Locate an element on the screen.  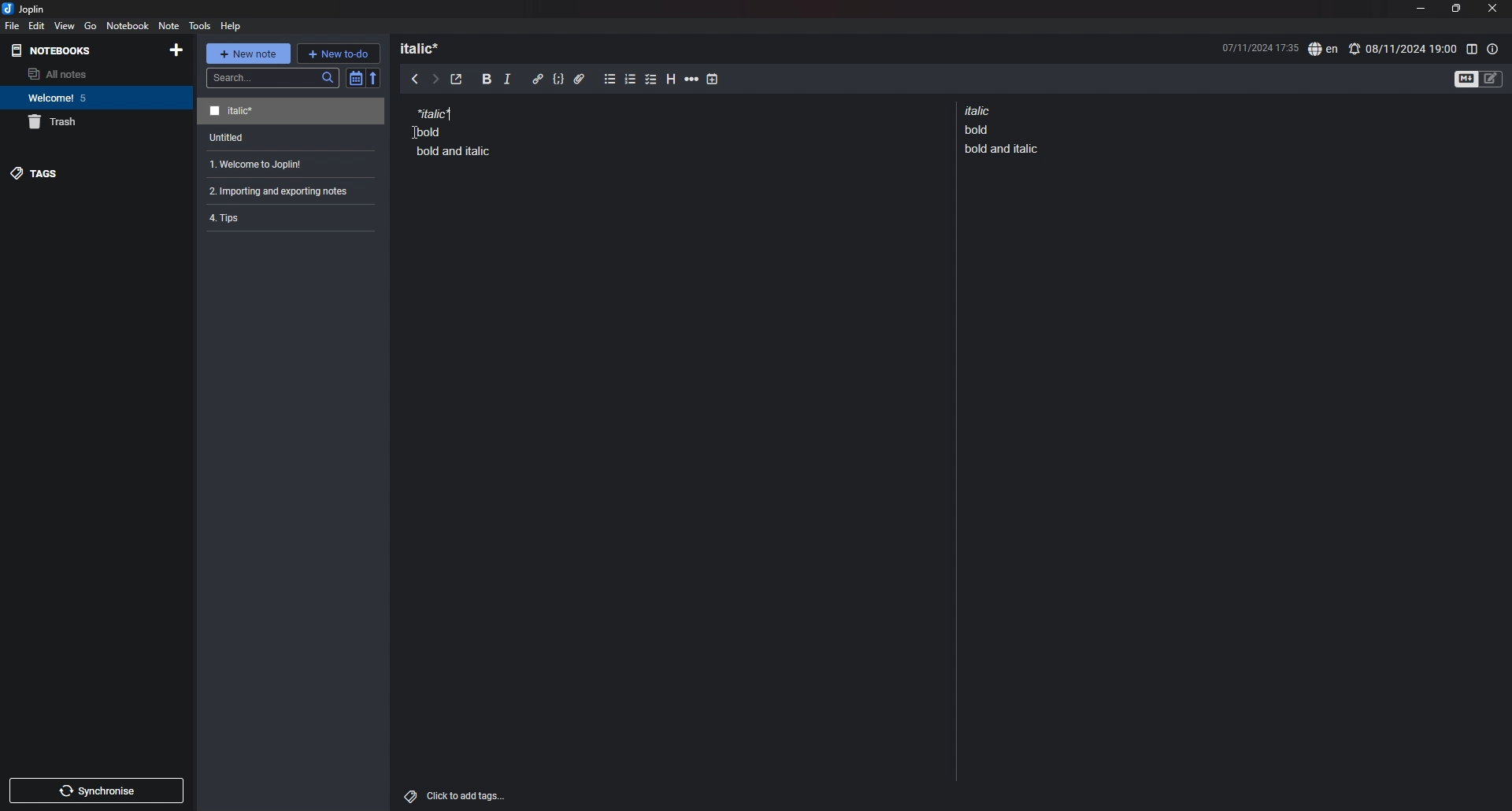
search bar is located at coordinates (273, 78).